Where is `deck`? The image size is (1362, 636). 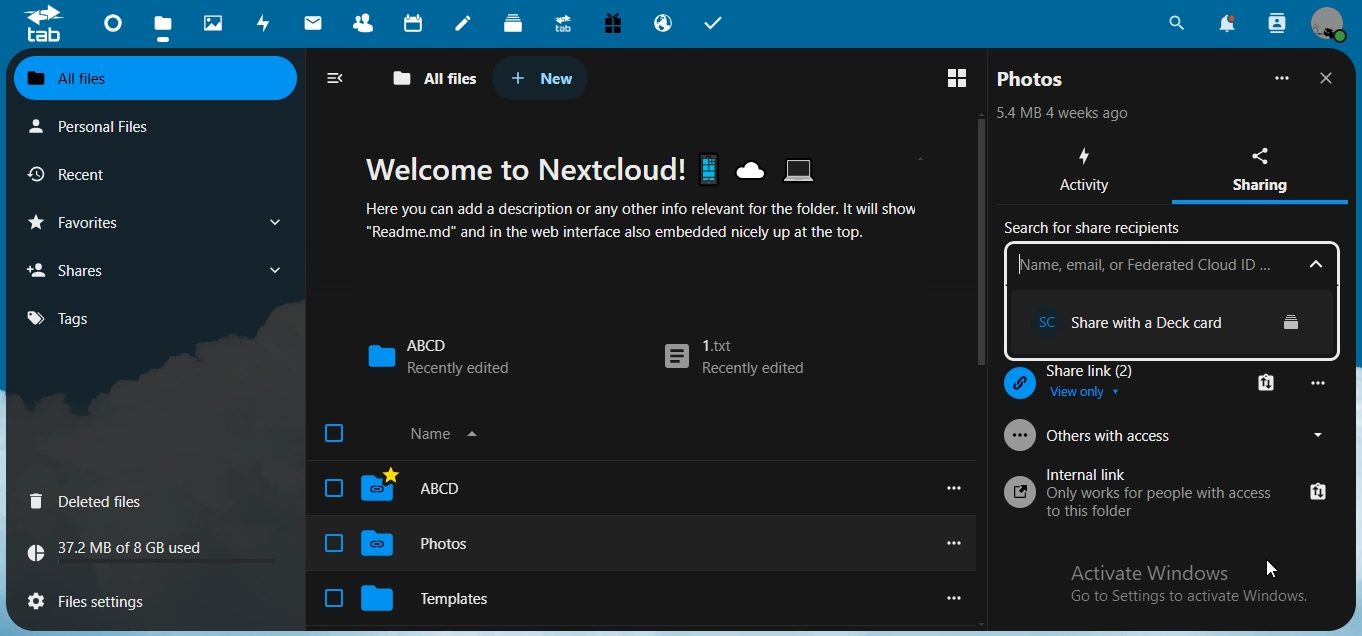
deck is located at coordinates (513, 22).